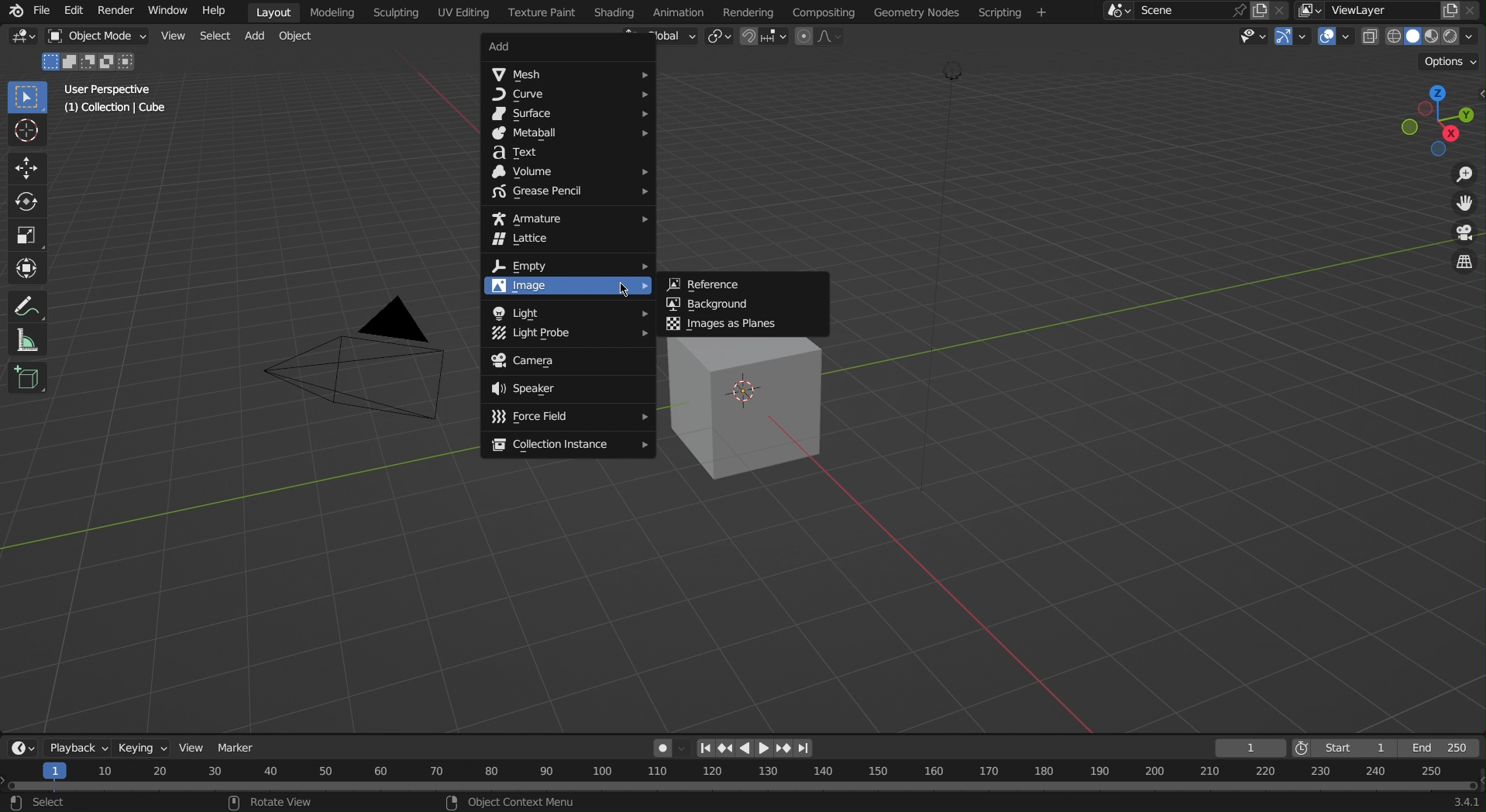 This screenshot has height=812, width=1486. What do you see at coordinates (362, 367) in the screenshot?
I see `Camera` at bounding box center [362, 367].